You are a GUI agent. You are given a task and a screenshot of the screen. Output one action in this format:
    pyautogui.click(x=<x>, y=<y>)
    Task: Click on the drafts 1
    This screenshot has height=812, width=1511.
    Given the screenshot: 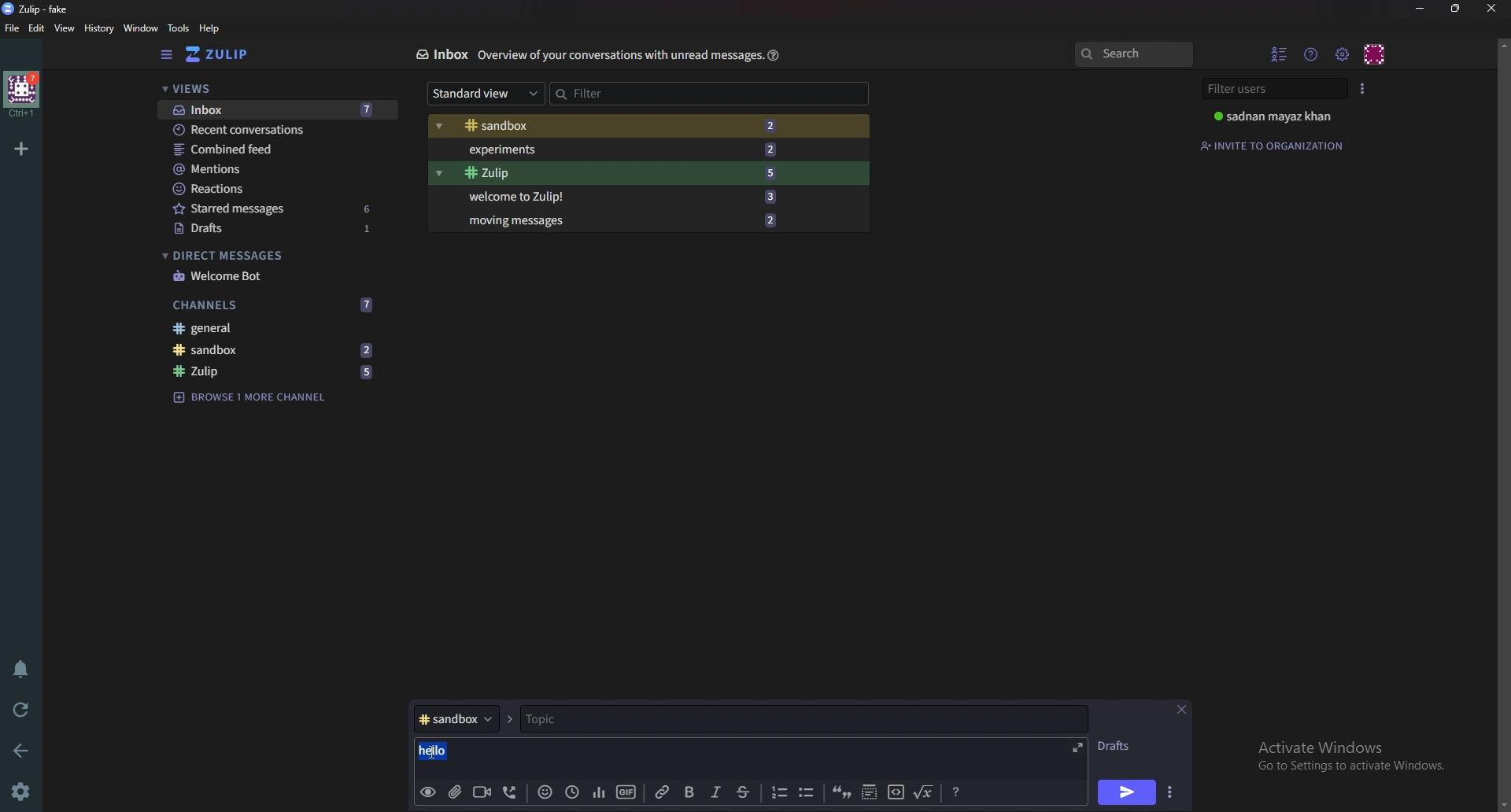 What is the action you would take?
    pyautogui.click(x=279, y=229)
    